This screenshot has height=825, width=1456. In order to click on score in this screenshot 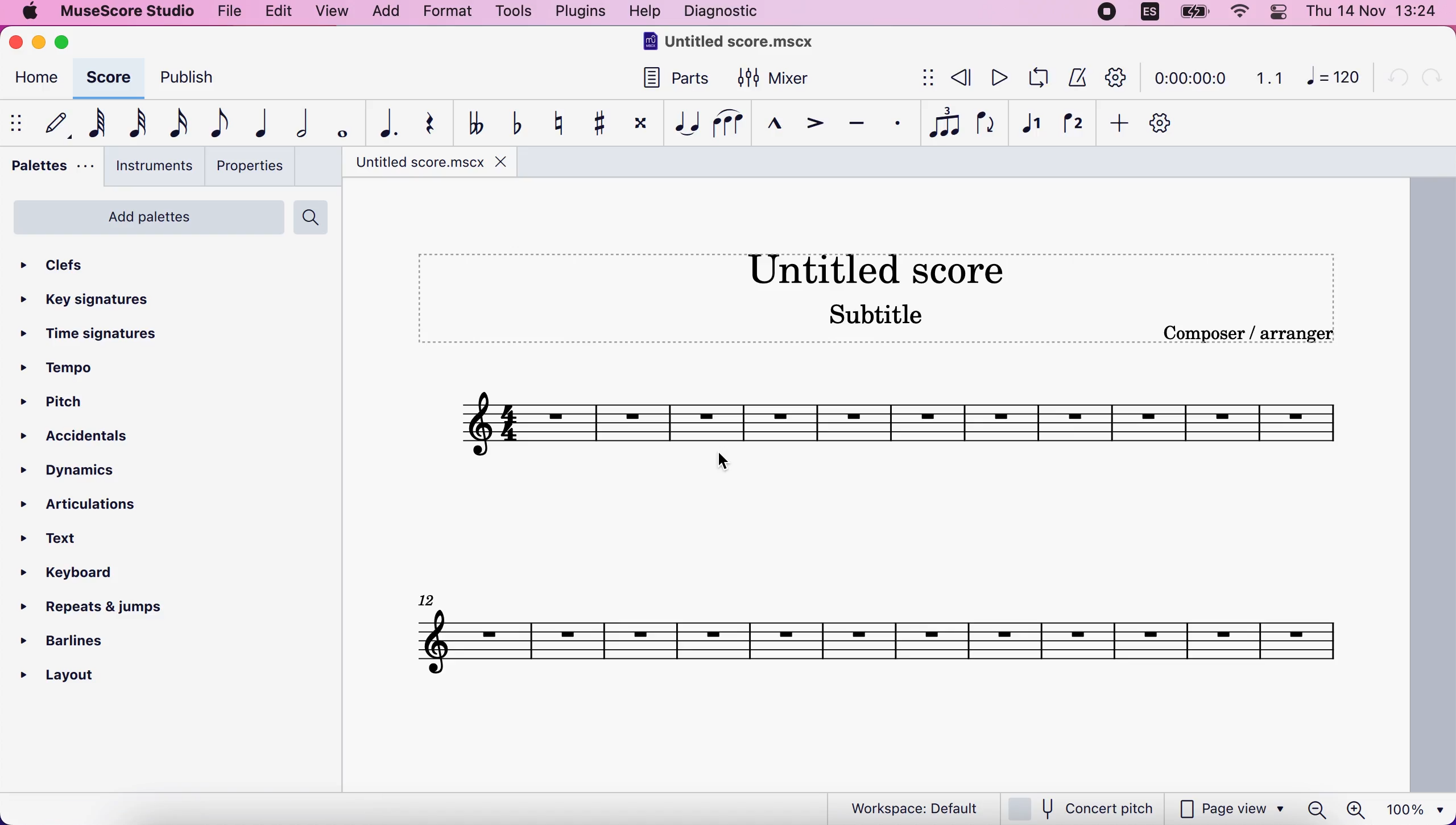, I will do `click(110, 80)`.